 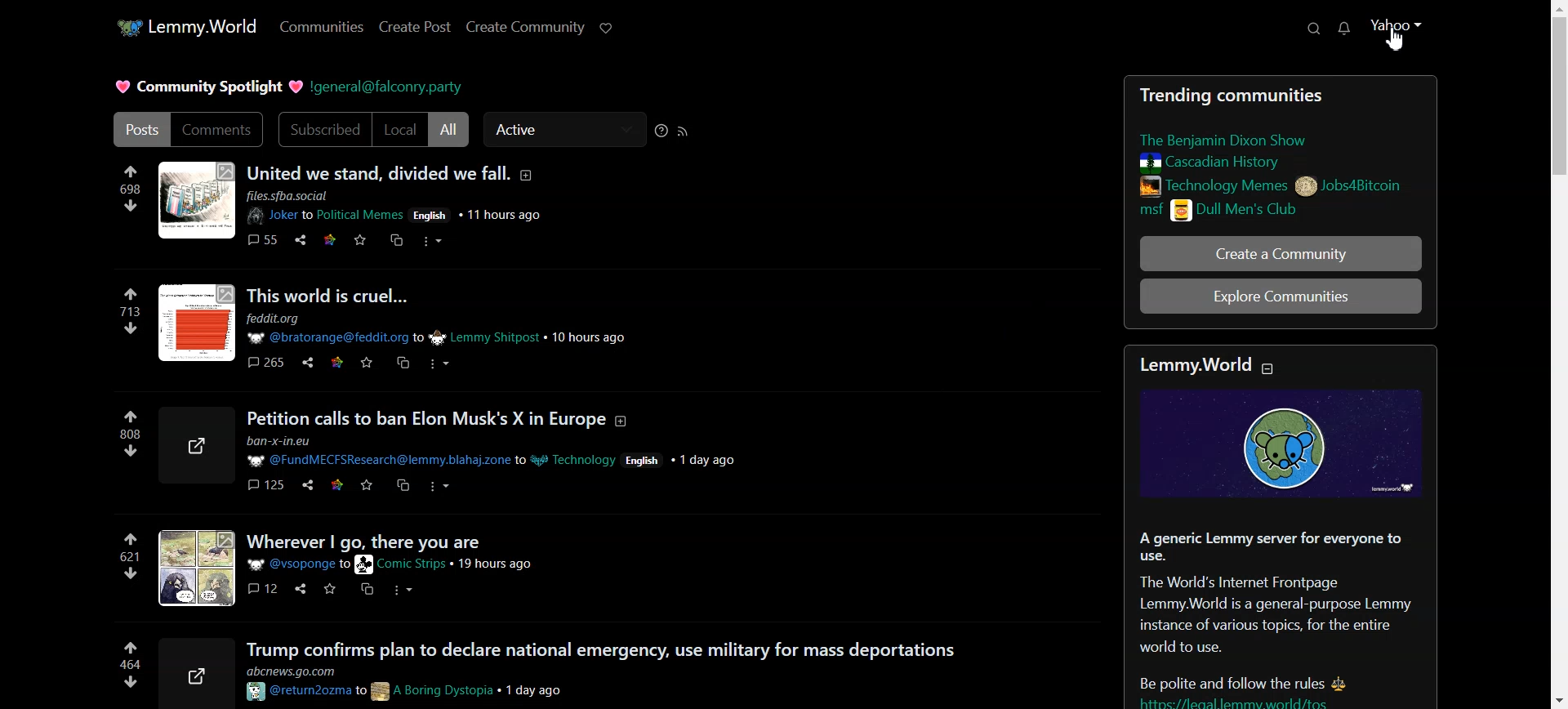 What do you see at coordinates (336, 372) in the screenshot?
I see `star` at bounding box center [336, 372].